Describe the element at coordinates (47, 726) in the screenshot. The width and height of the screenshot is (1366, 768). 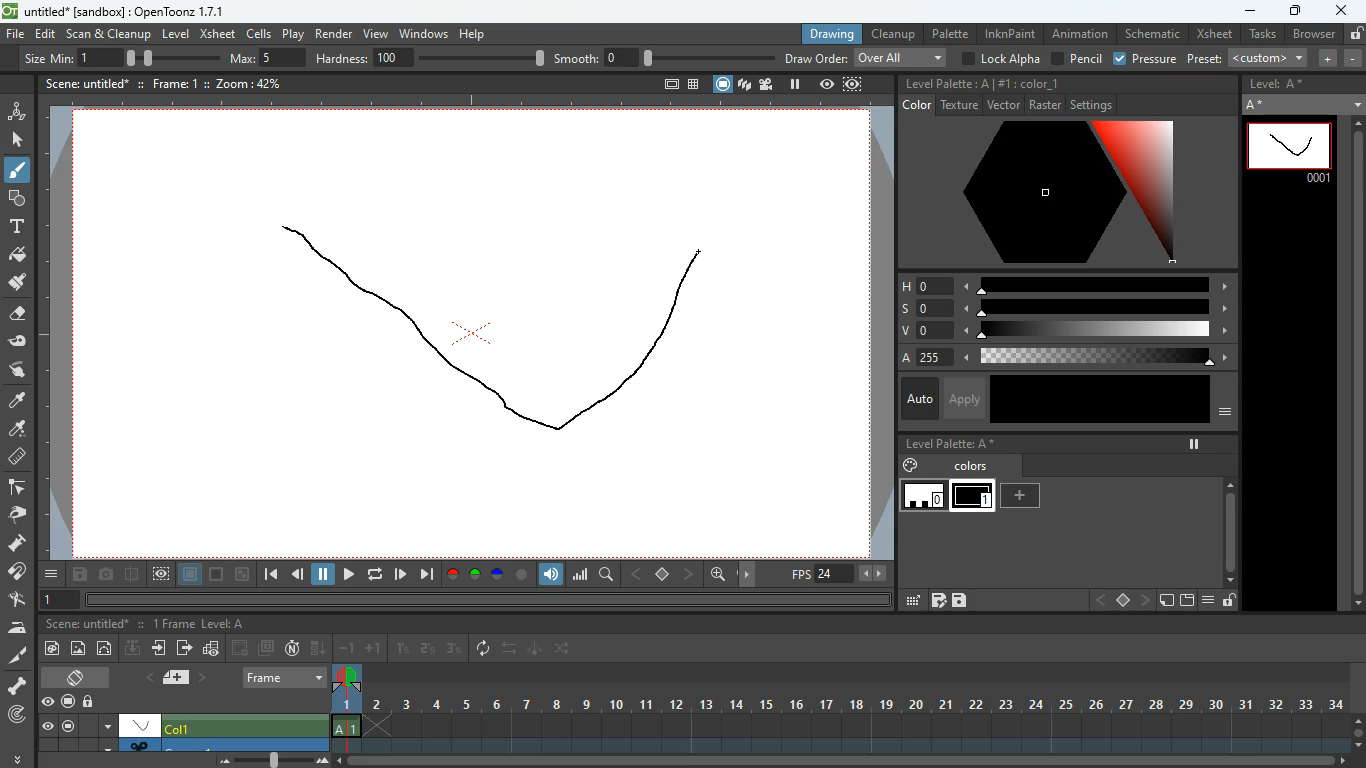
I see `view` at that location.